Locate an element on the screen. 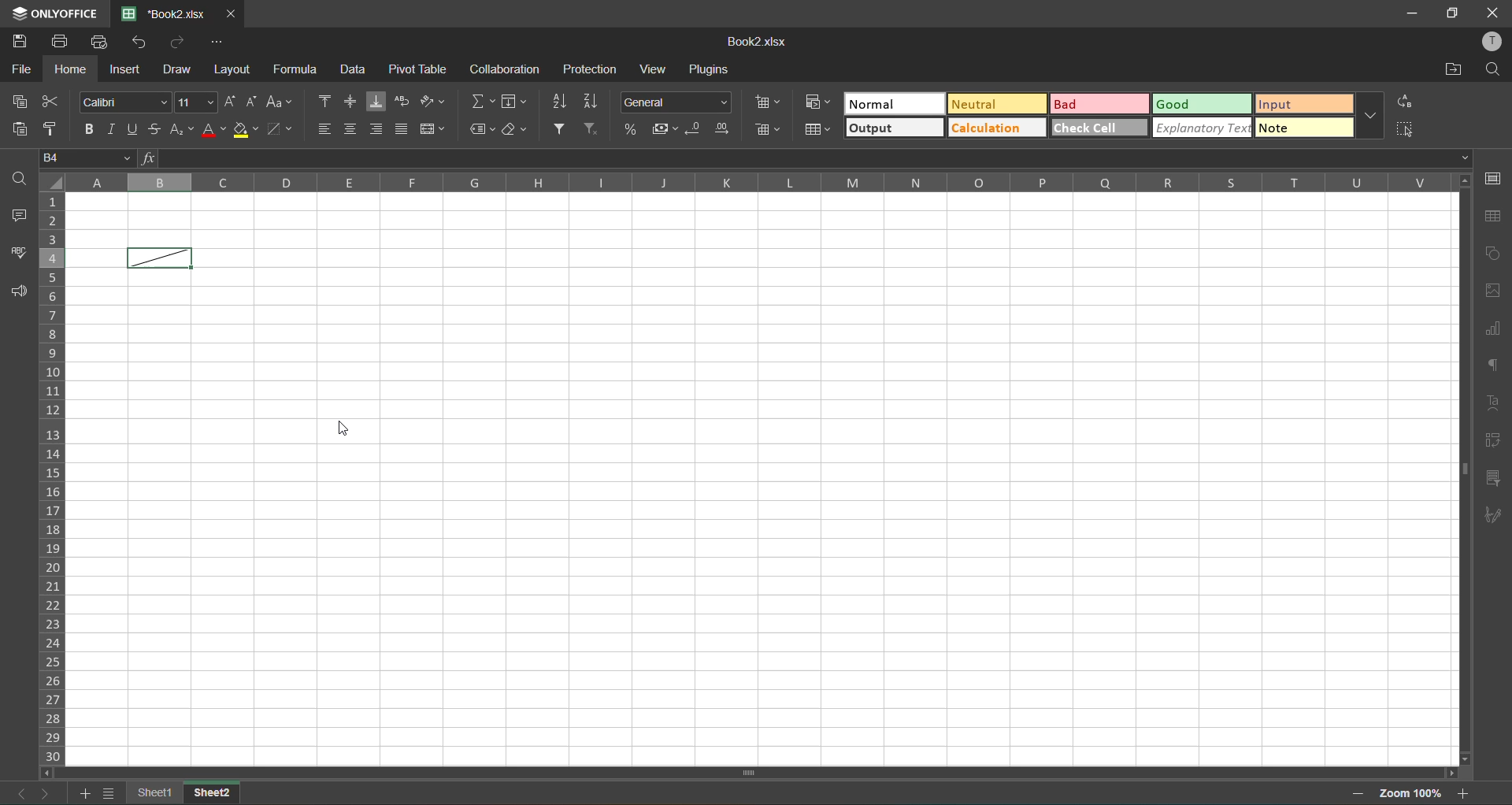 Image resolution: width=1512 pixels, height=805 pixels. wrap text is located at coordinates (401, 102).